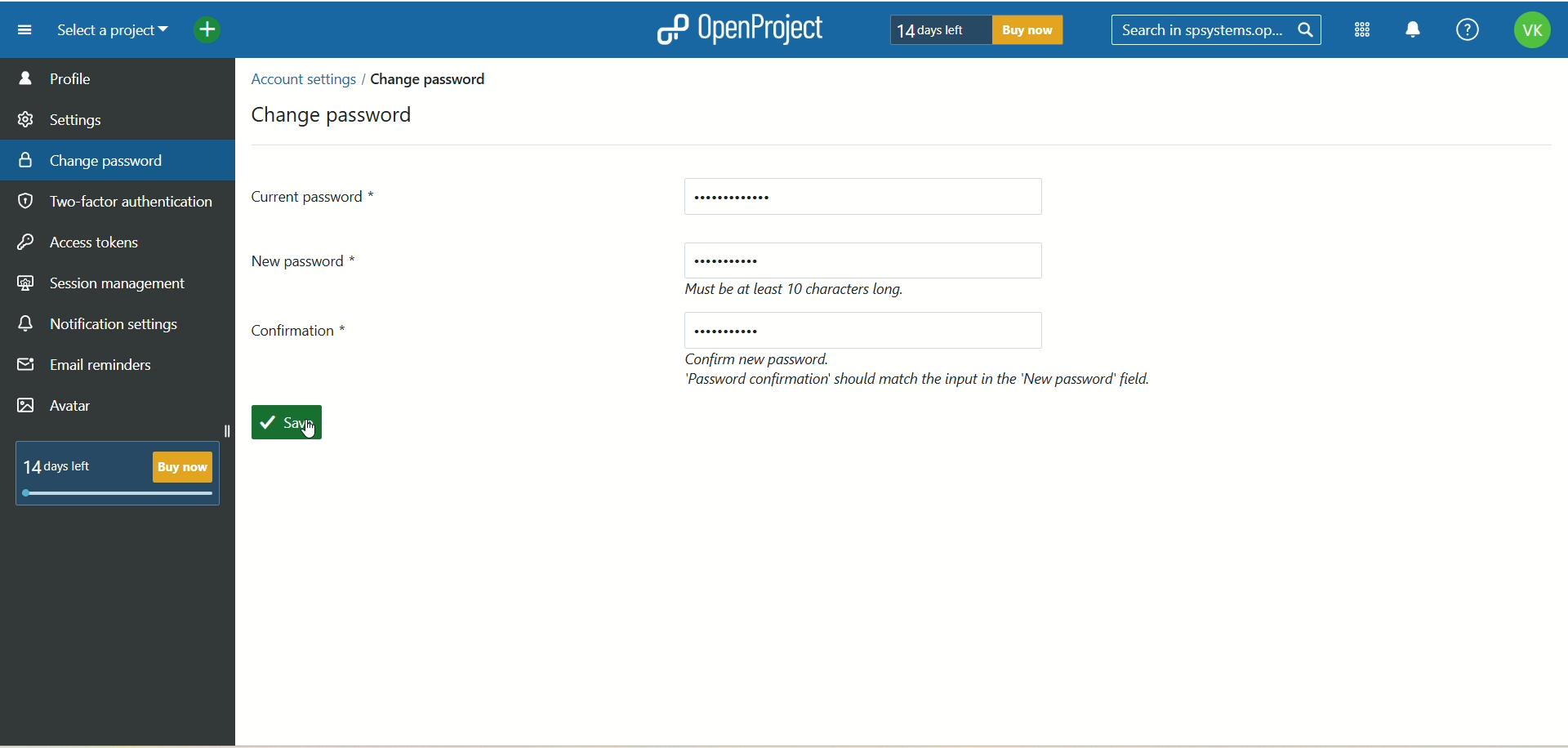 This screenshot has width=1568, height=748. I want to click on help, so click(1463, 31).